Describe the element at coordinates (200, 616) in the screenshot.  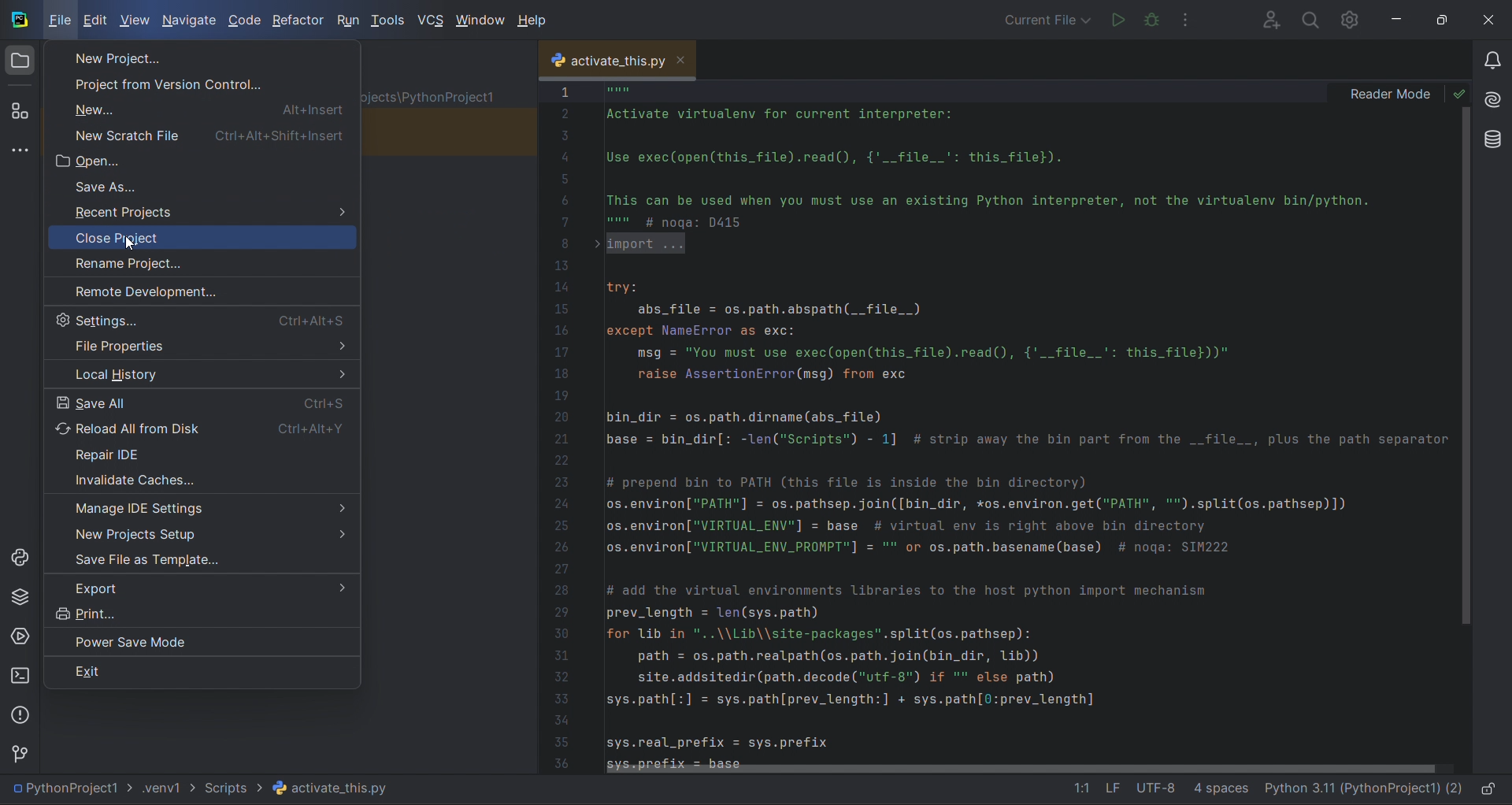
I see `print ` at that location.